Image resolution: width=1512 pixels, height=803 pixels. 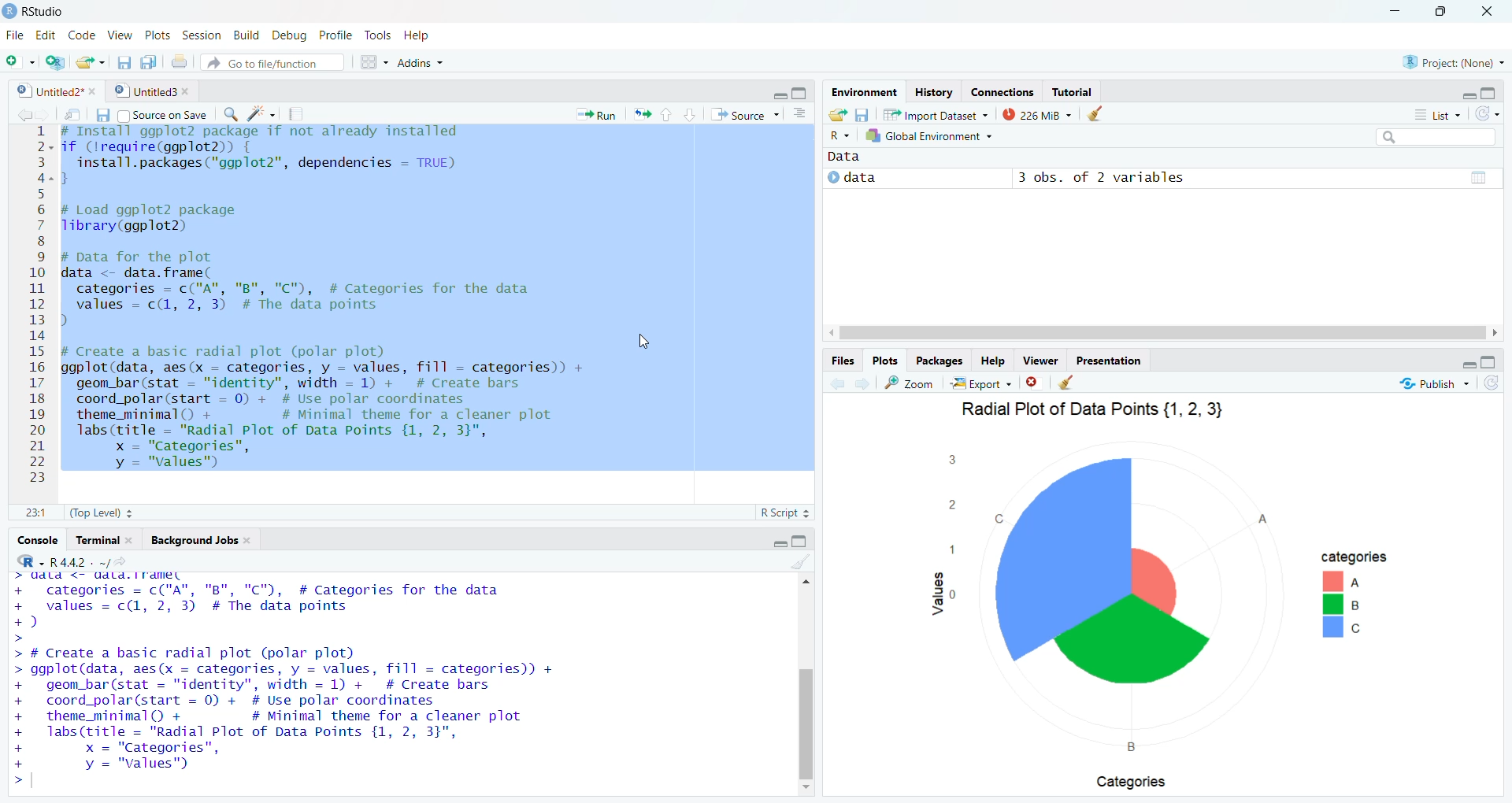 I want to click on Load workspace, so click(x=838, y=113).